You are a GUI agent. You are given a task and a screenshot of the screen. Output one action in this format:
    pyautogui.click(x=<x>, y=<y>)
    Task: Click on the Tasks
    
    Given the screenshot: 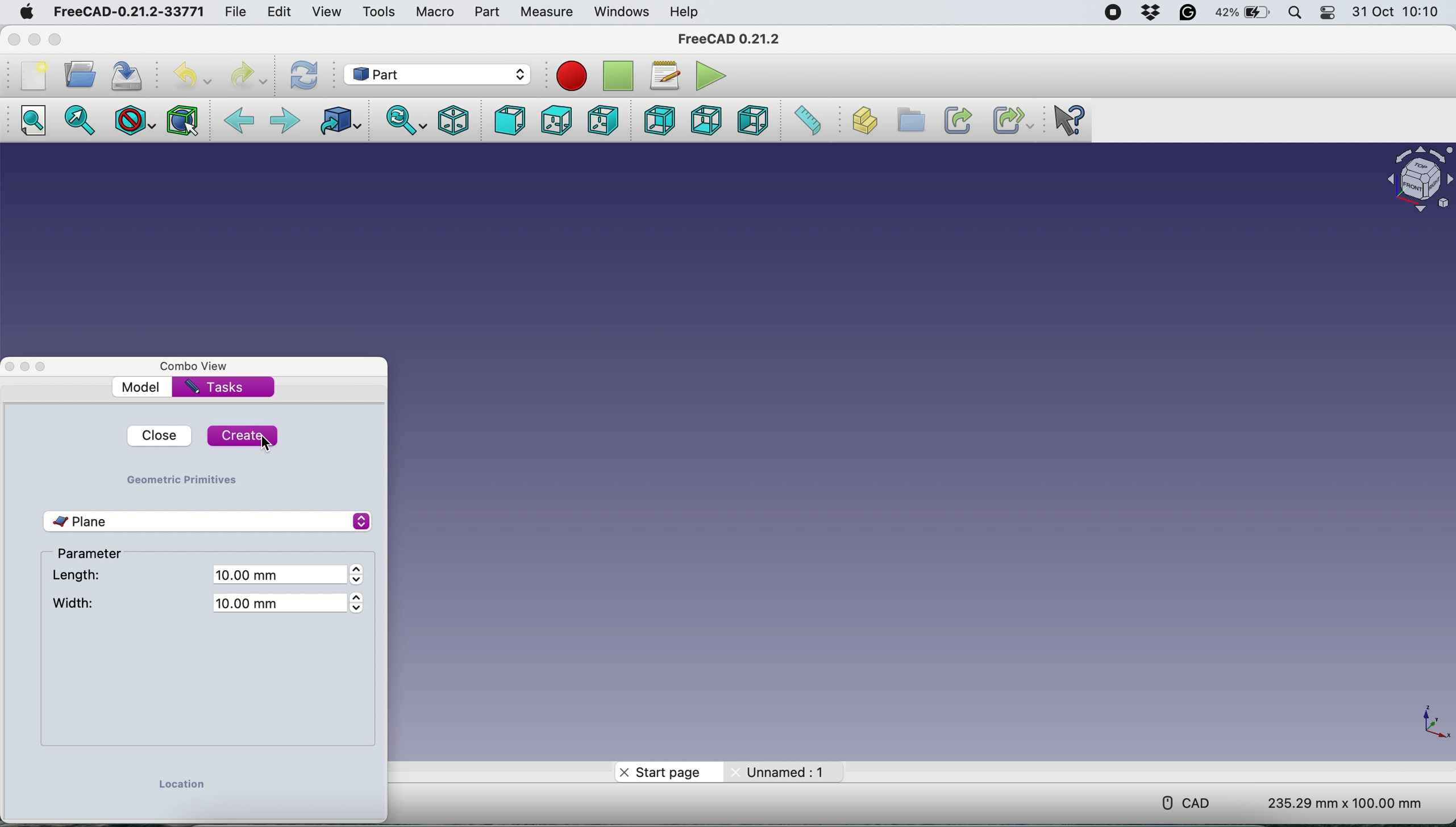 What is the action you would take?
    pyautogui.click(x=214, y=388)
    